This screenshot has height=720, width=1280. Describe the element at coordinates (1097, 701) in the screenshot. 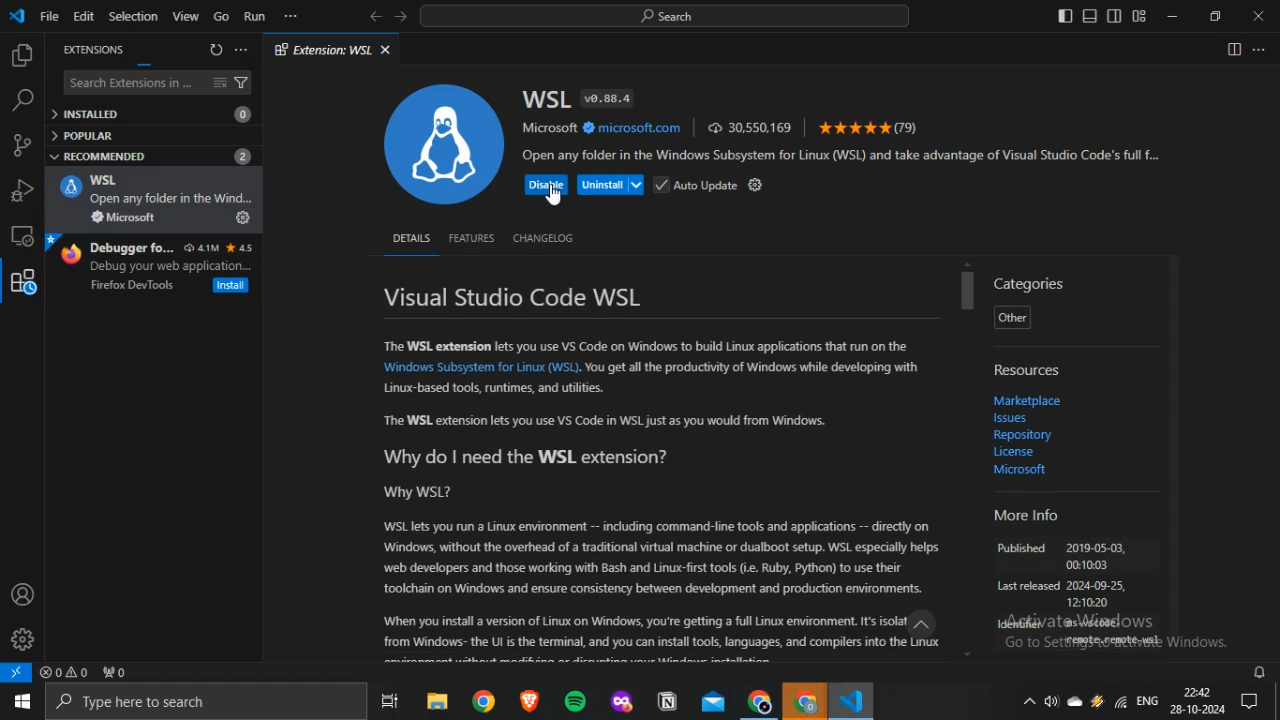

I see `winamp agent` at that location.